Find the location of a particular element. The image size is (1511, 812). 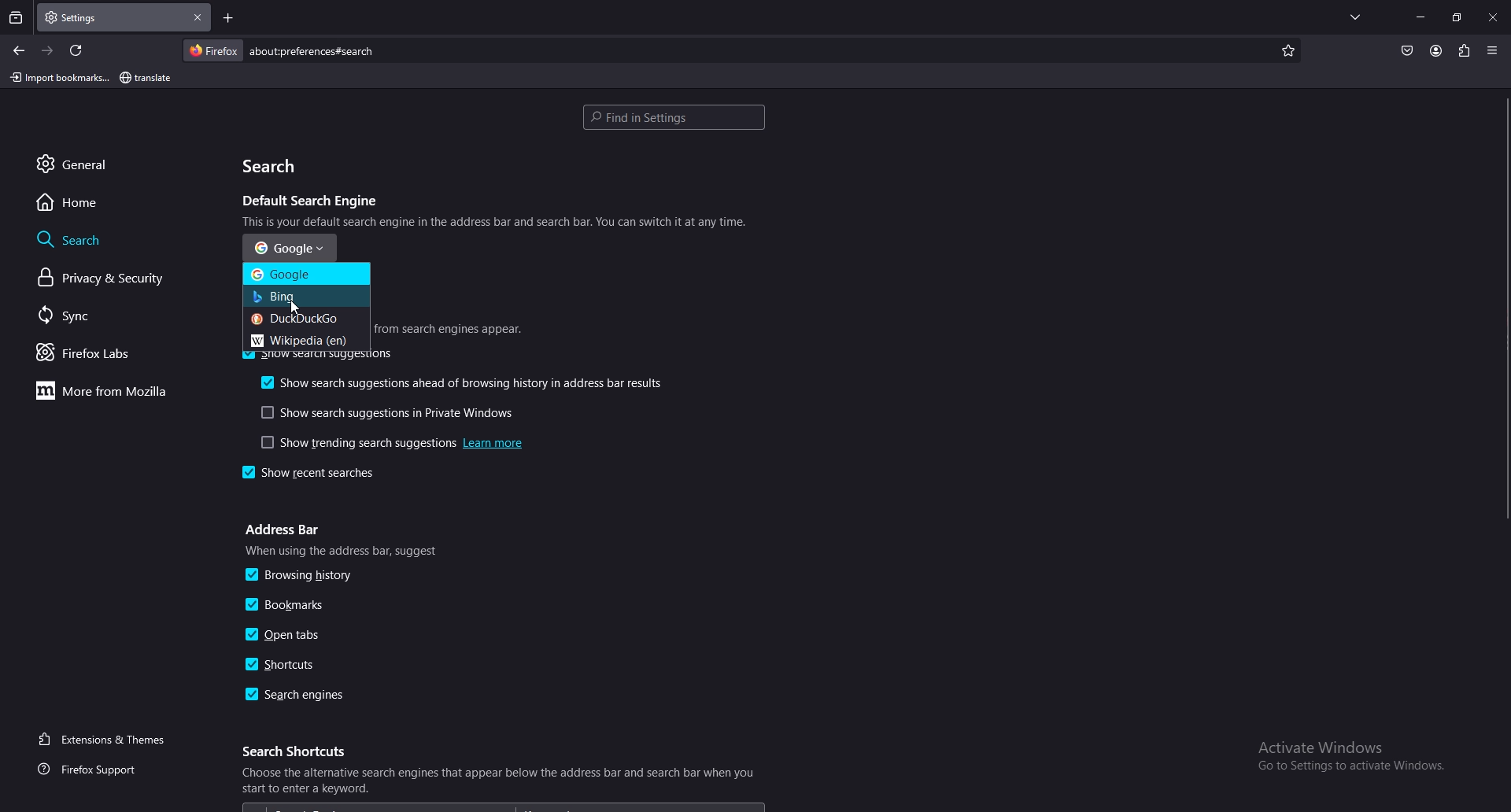

show search suggestions is located at coordinates (320, 358).